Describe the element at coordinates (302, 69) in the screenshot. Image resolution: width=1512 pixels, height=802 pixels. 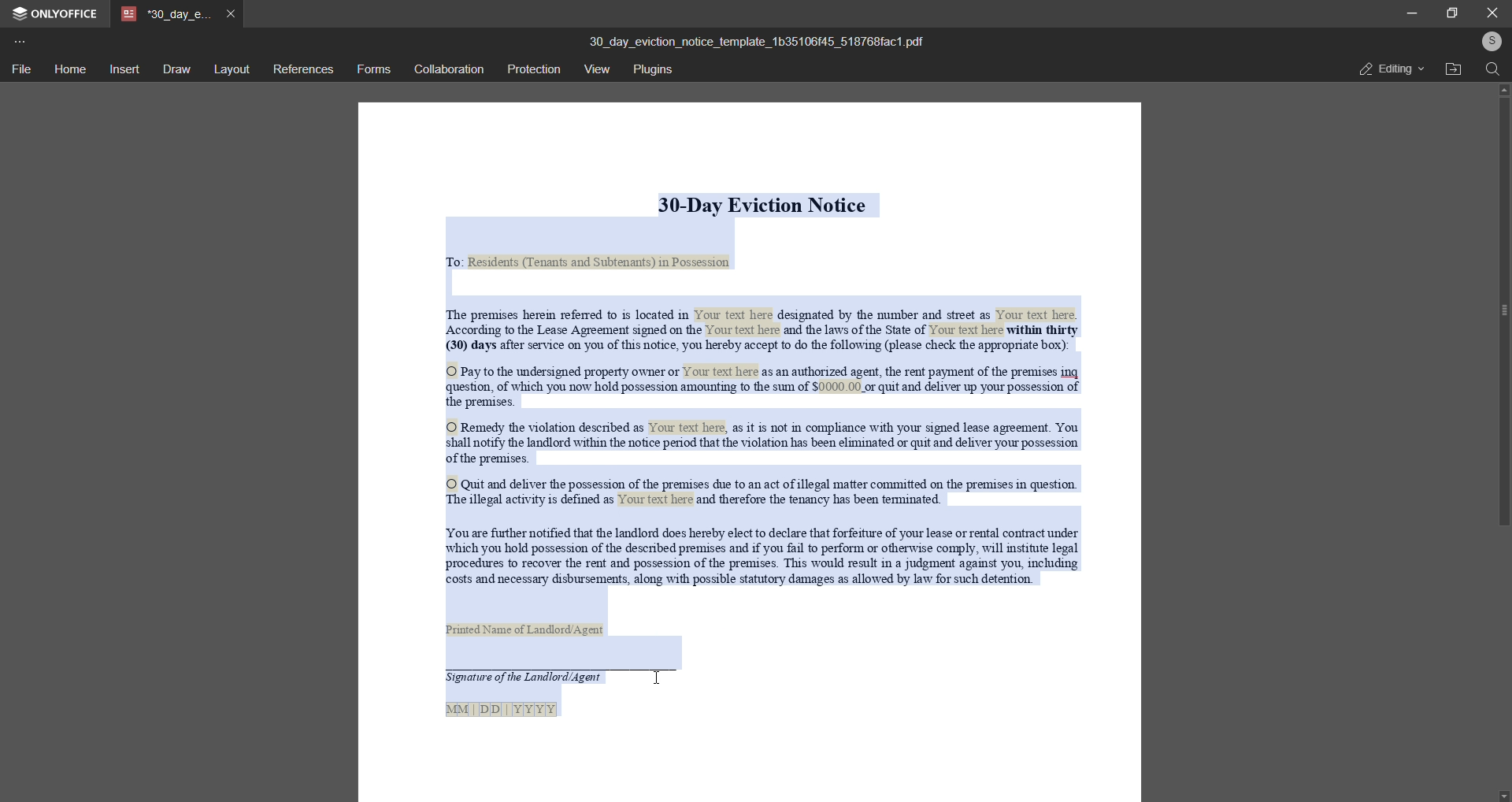
I see `references` at that location.